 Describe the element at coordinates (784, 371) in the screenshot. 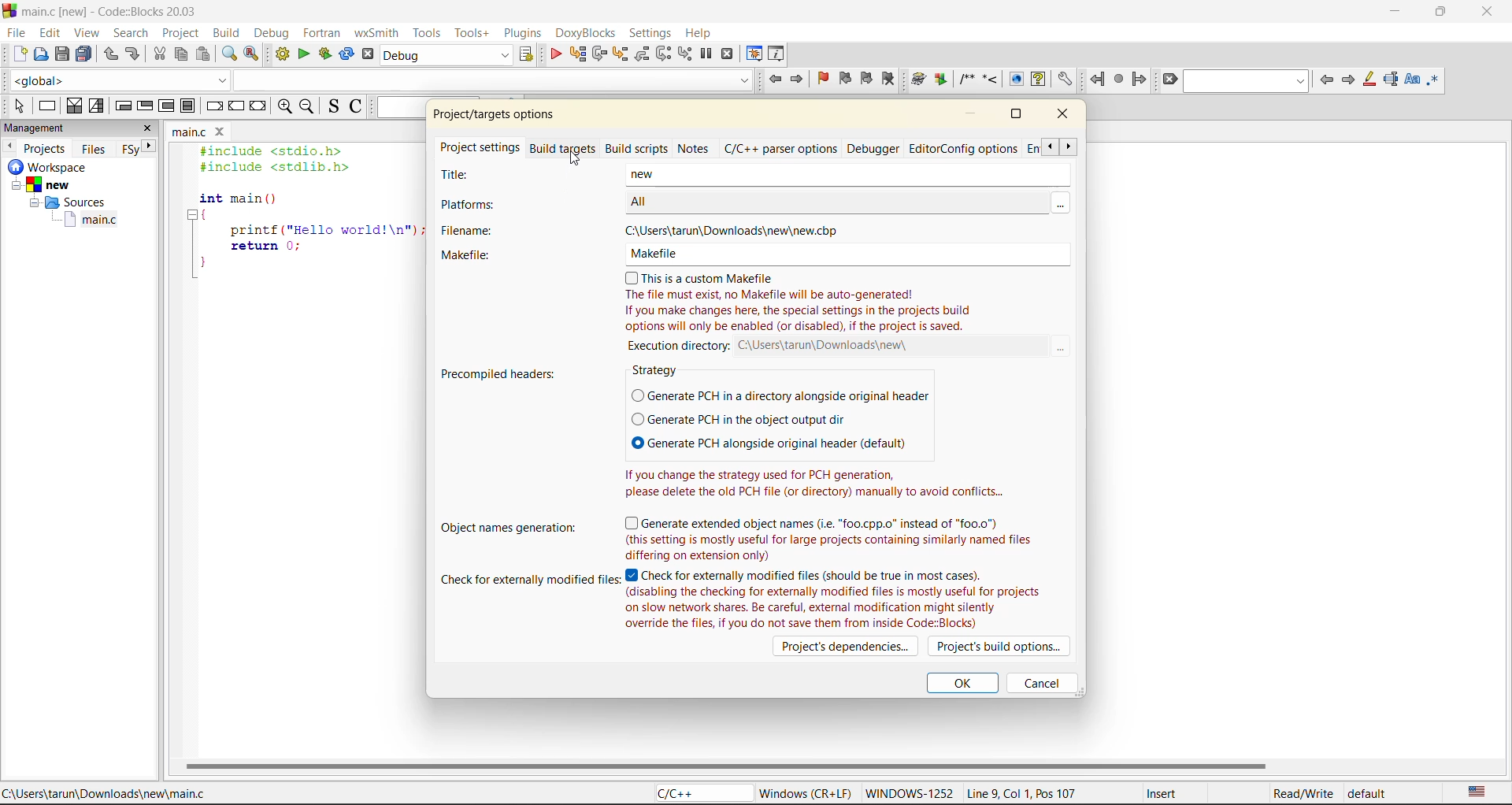

I see `strategy` at that location.